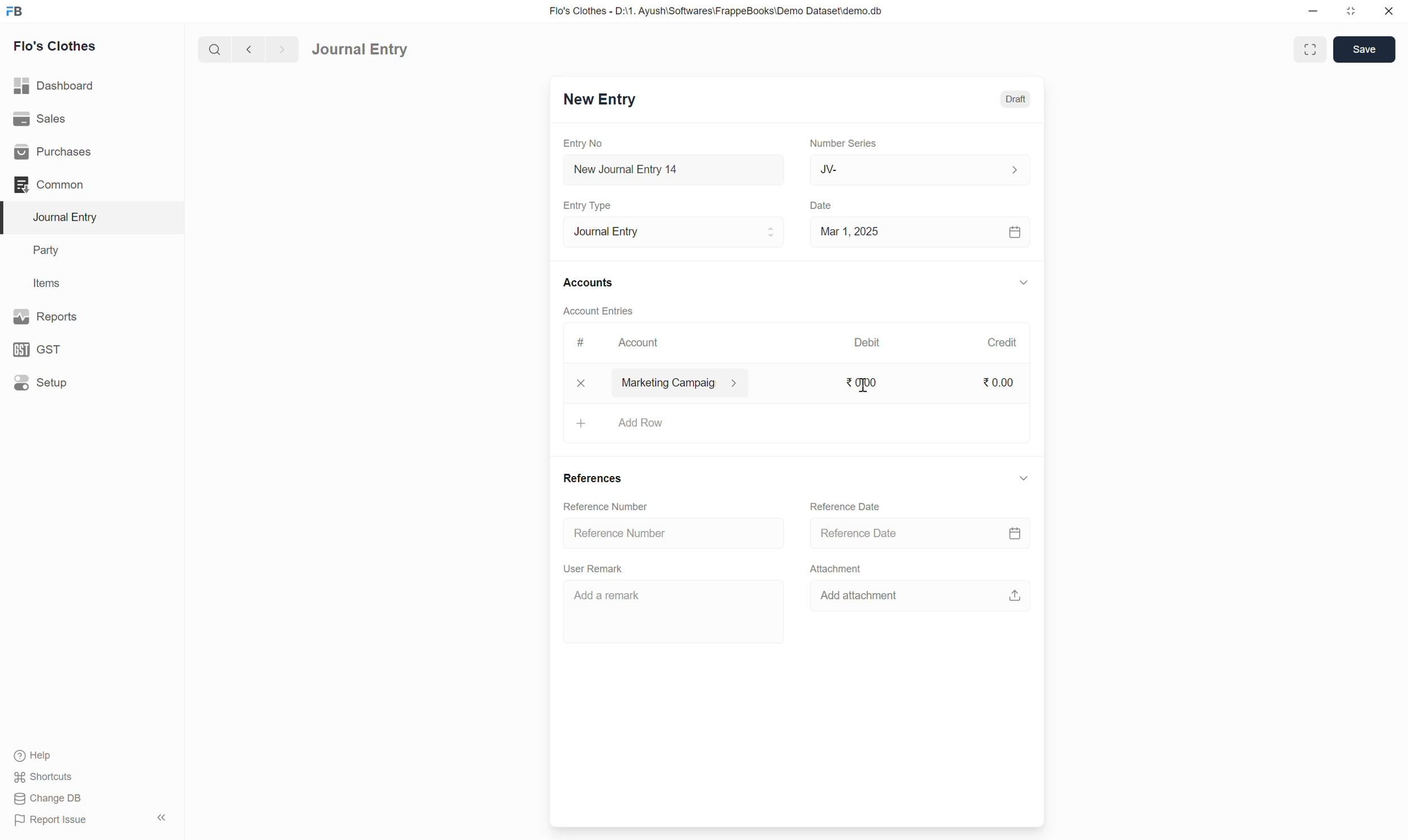 This screenshot has height=840, width=1408. I want to click on add row, so click(644, 422).